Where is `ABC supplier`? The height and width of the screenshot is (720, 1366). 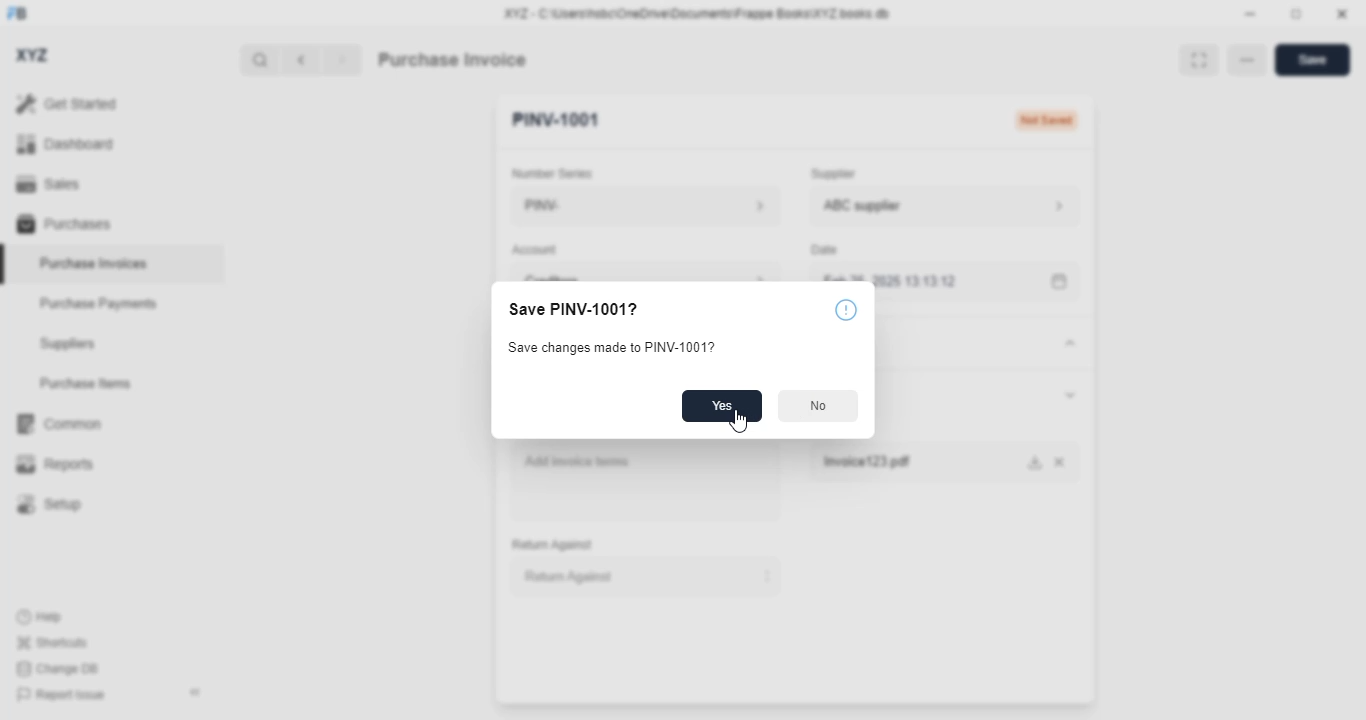 ABC supplier is located at coordinates (906, 206).